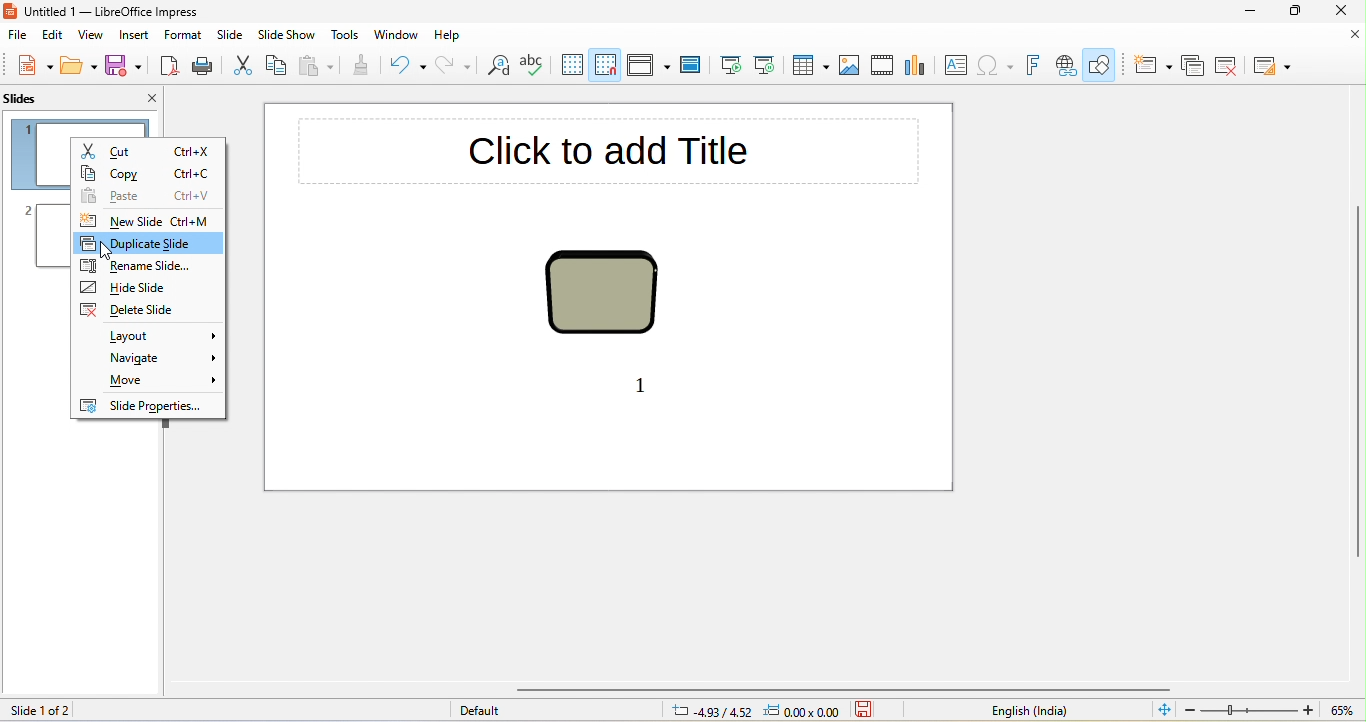 This screenshot has height=722, width=1366. I want to click on slides, so click(44, 98).